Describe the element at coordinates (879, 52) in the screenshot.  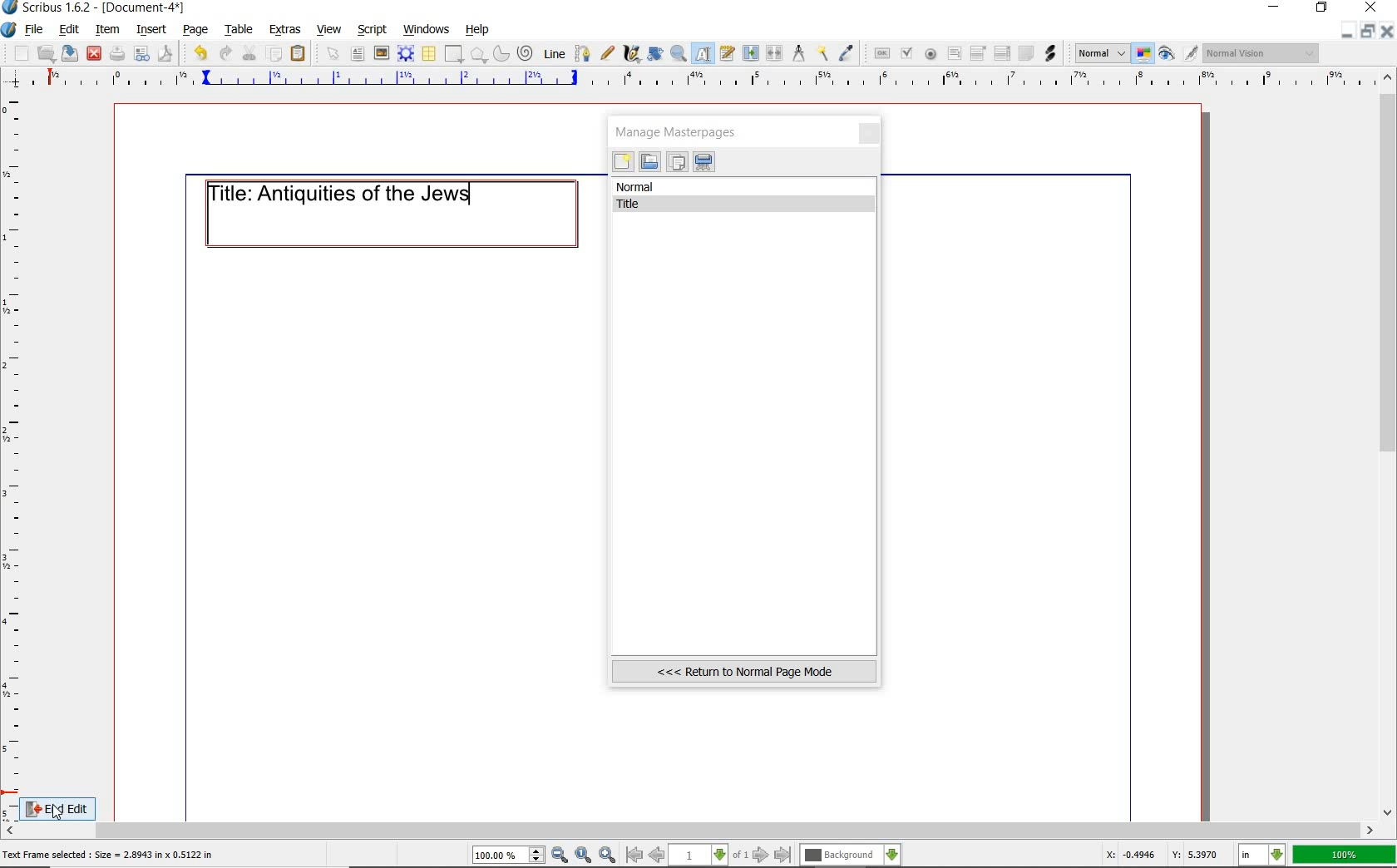
I see `pdf push button` at that location.